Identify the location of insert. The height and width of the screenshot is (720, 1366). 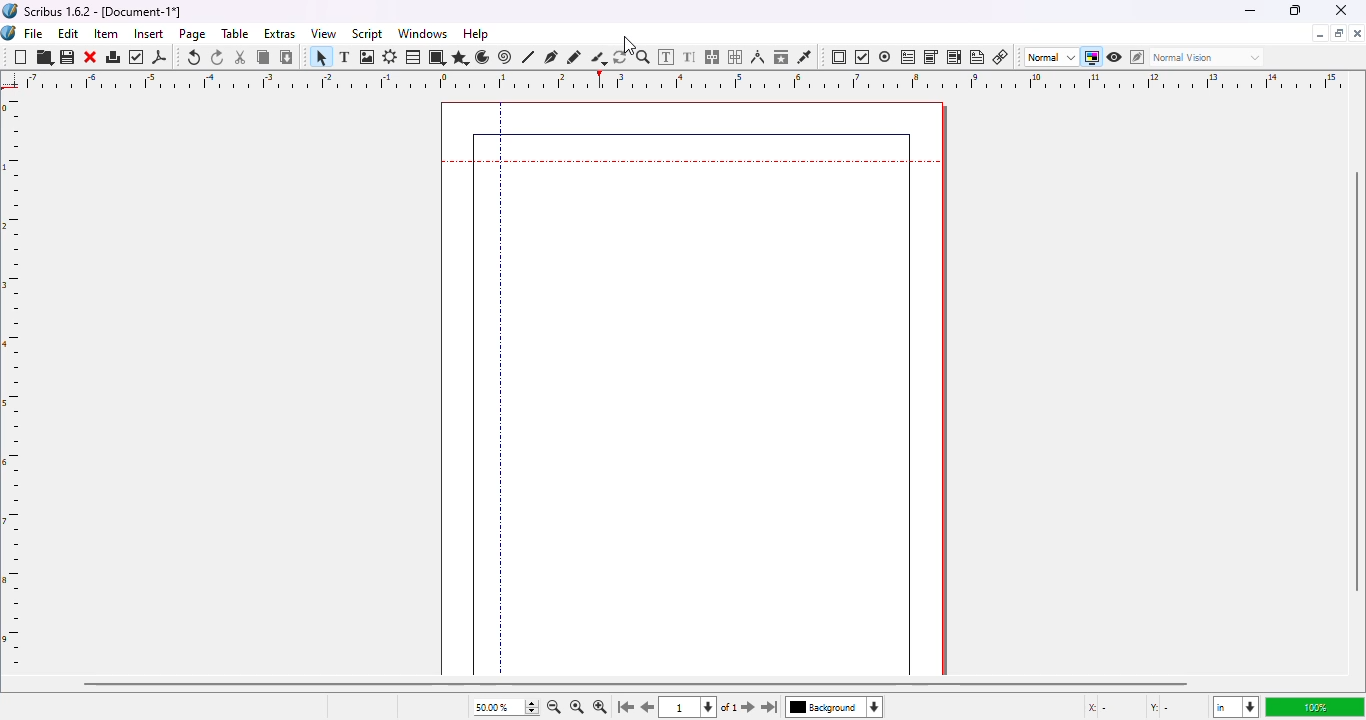
(149, 33).